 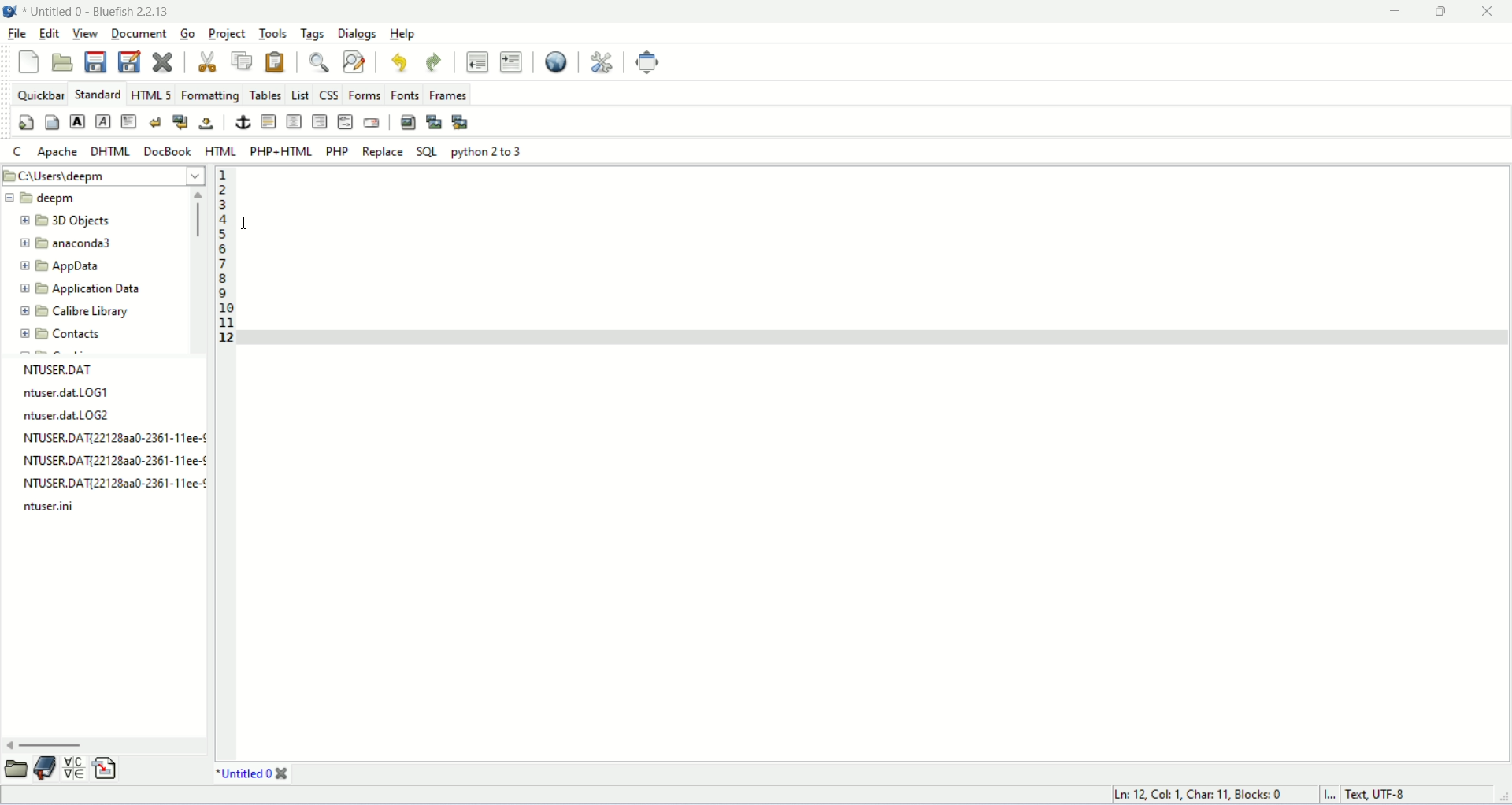 What do you see at coordinates (48, 32) in the screenshot?
I see `edit` at bounding box center [48, 32].